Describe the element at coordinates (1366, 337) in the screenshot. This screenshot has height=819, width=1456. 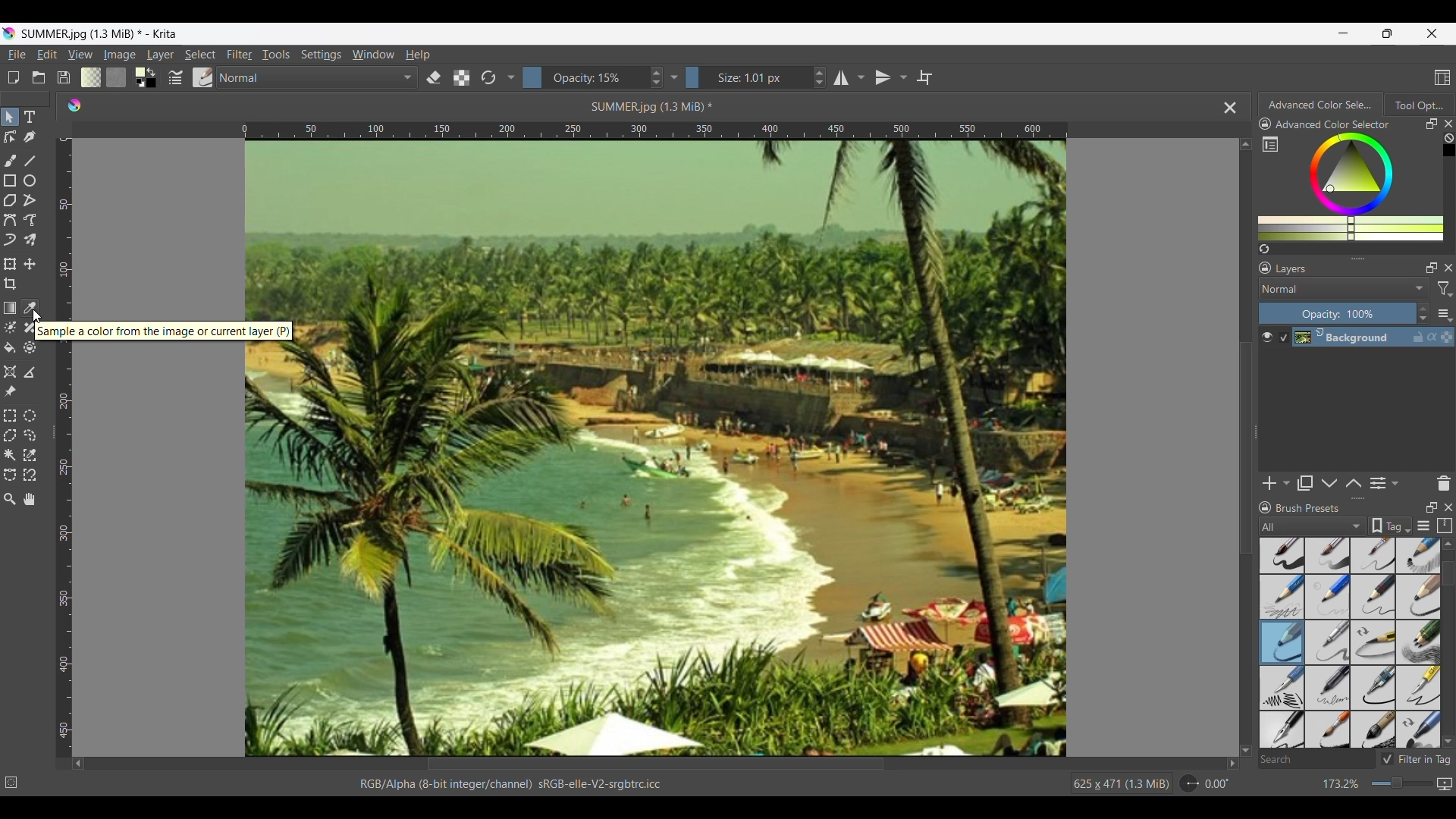
I see `Background` at that location.